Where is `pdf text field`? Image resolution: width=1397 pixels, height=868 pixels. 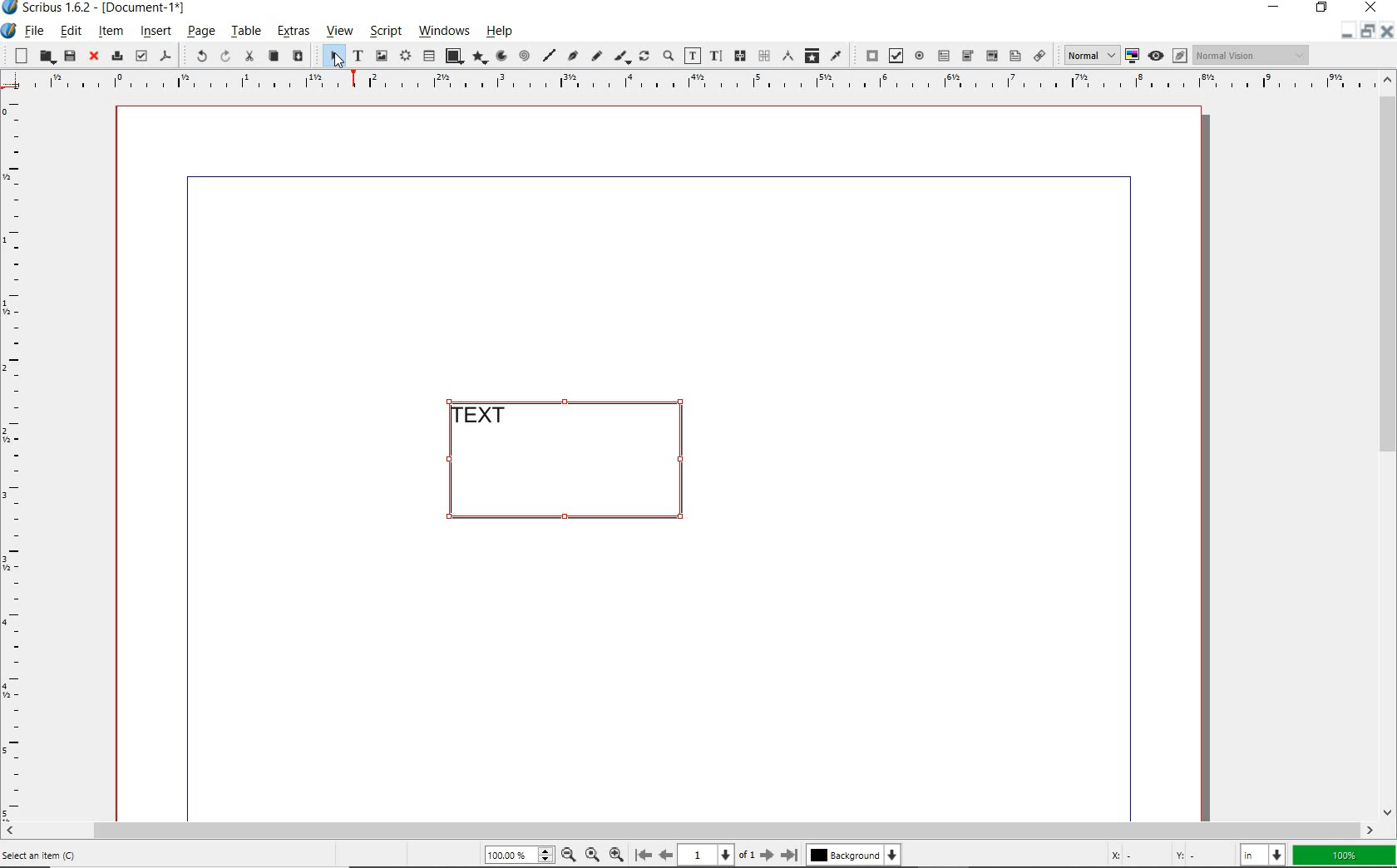
pdf text field is located at coordinates (945, 56).